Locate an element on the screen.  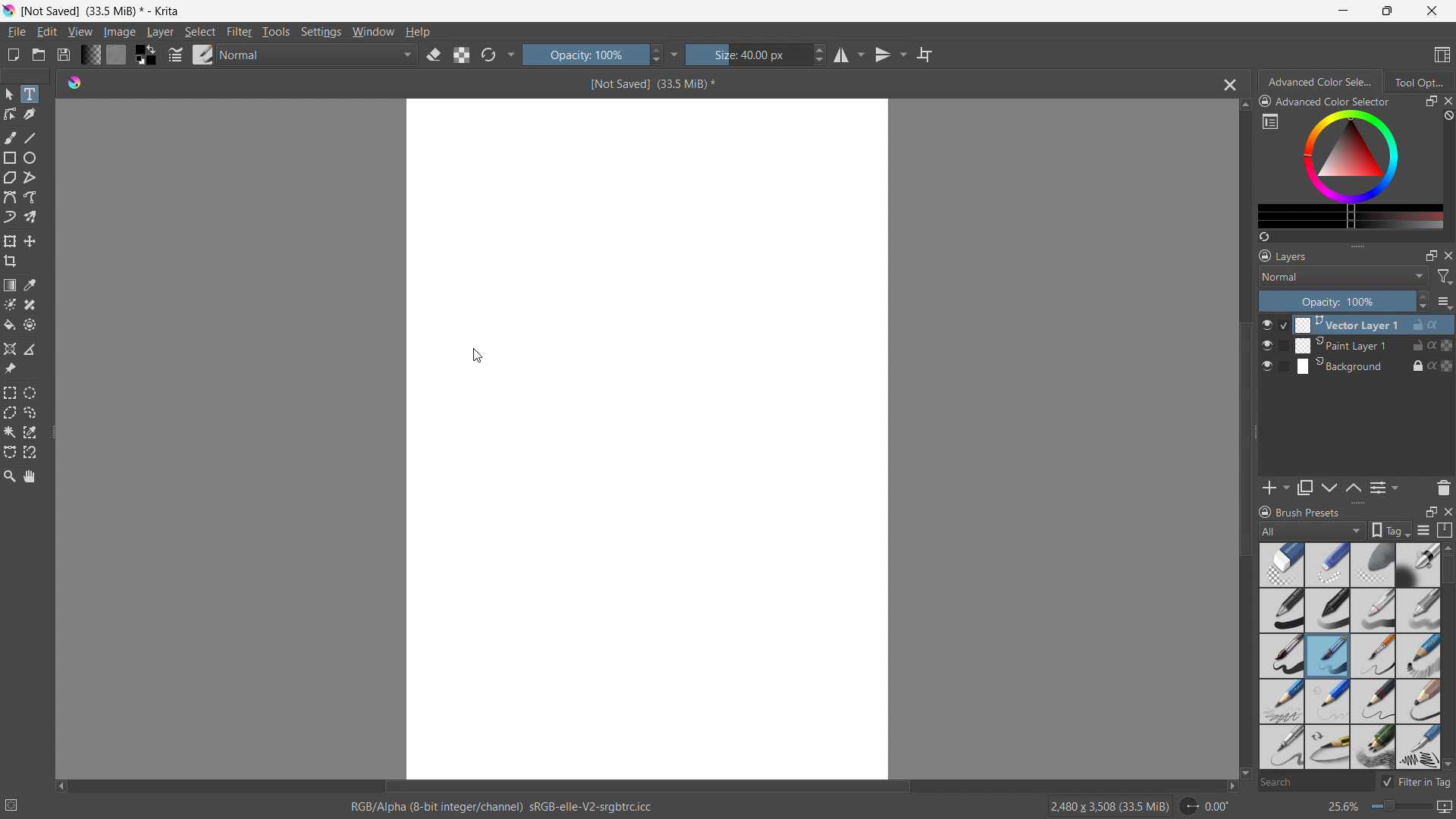
move to a layer is located at coordinates (30, 241).